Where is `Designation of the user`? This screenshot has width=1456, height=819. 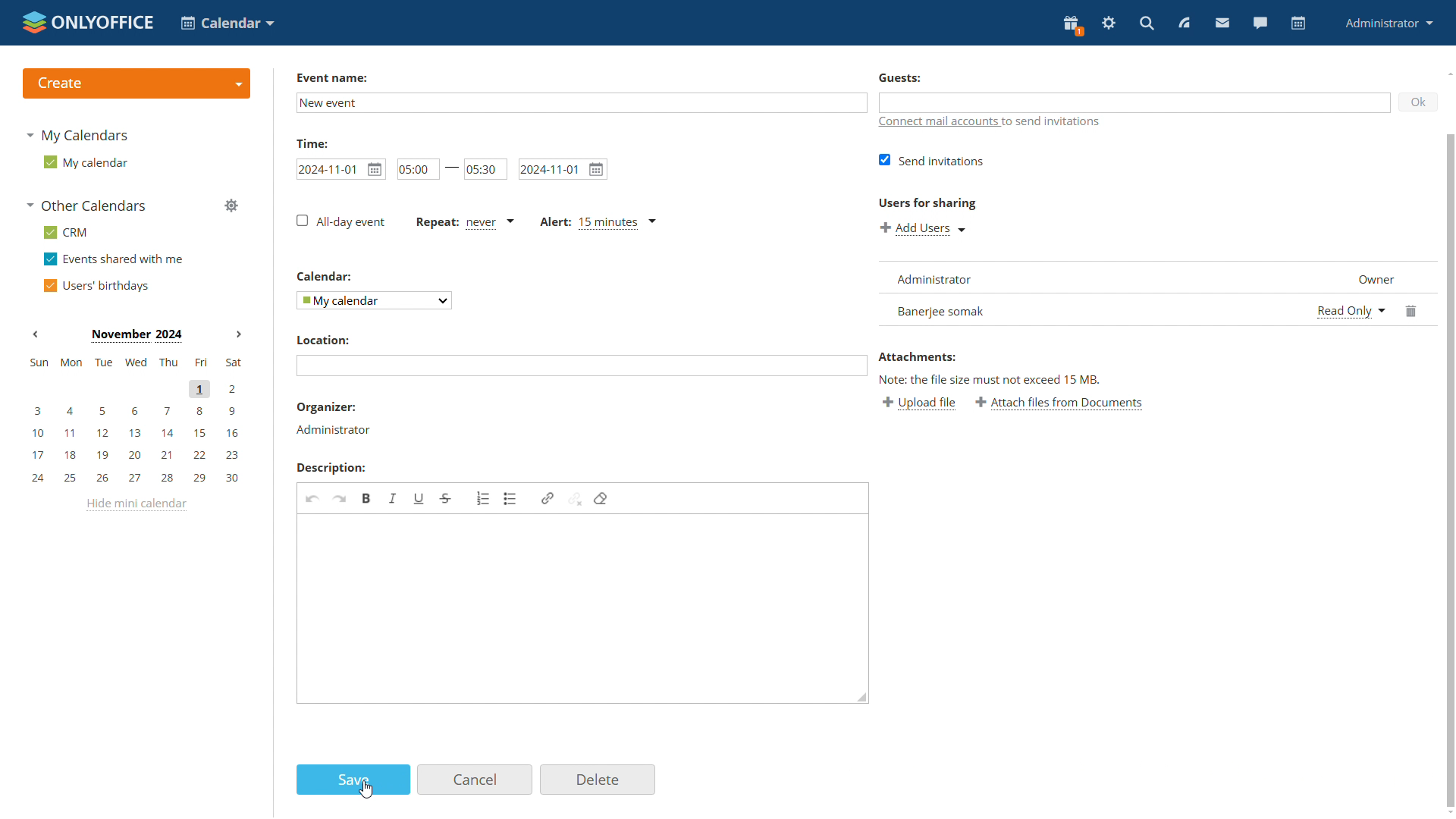
Designation of the user is located at coordinates (1373, 277).